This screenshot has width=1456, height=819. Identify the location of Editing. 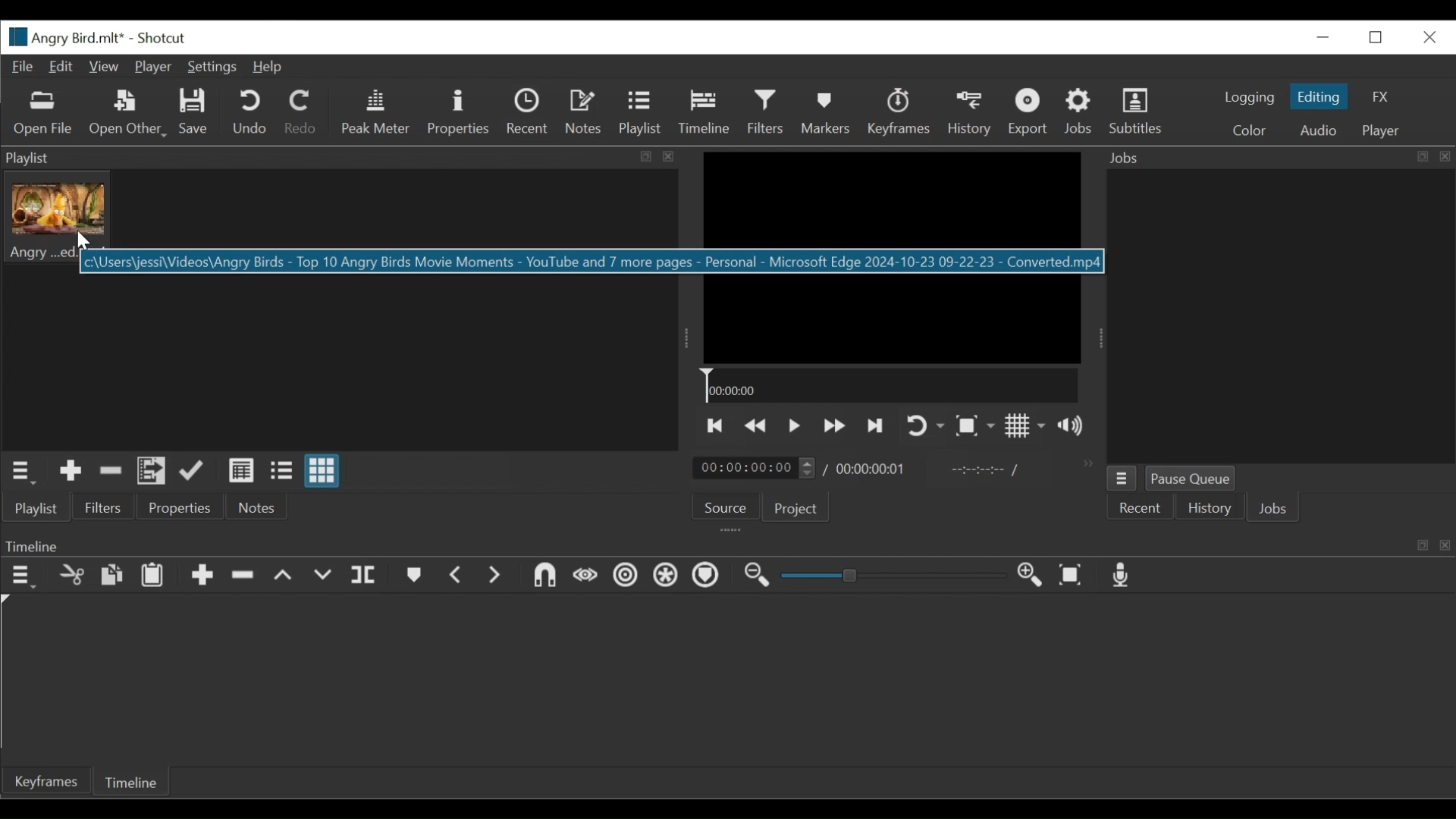
(1319, 96).